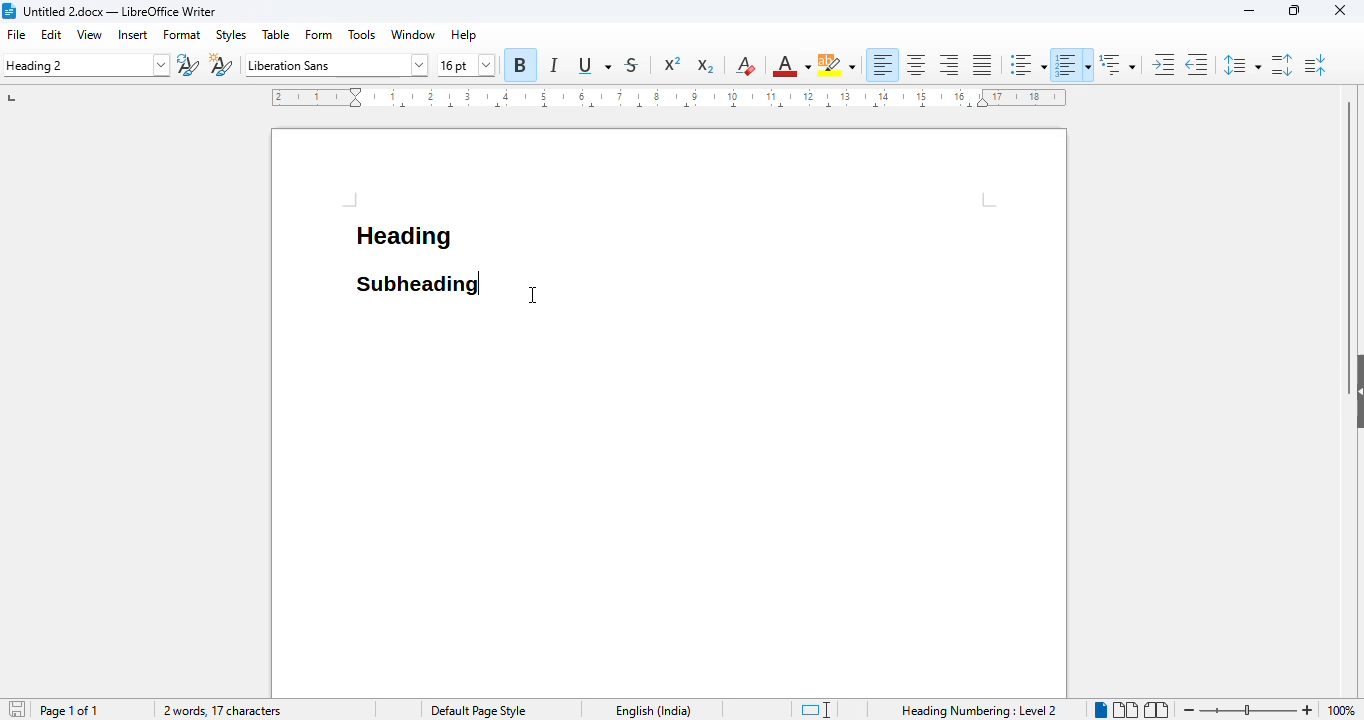 The width and height of the screenshot is (1364, 720). What do you see at coordinates (595, 65) in the screenshot?
I see `underline` at bounding box center [595, 65].